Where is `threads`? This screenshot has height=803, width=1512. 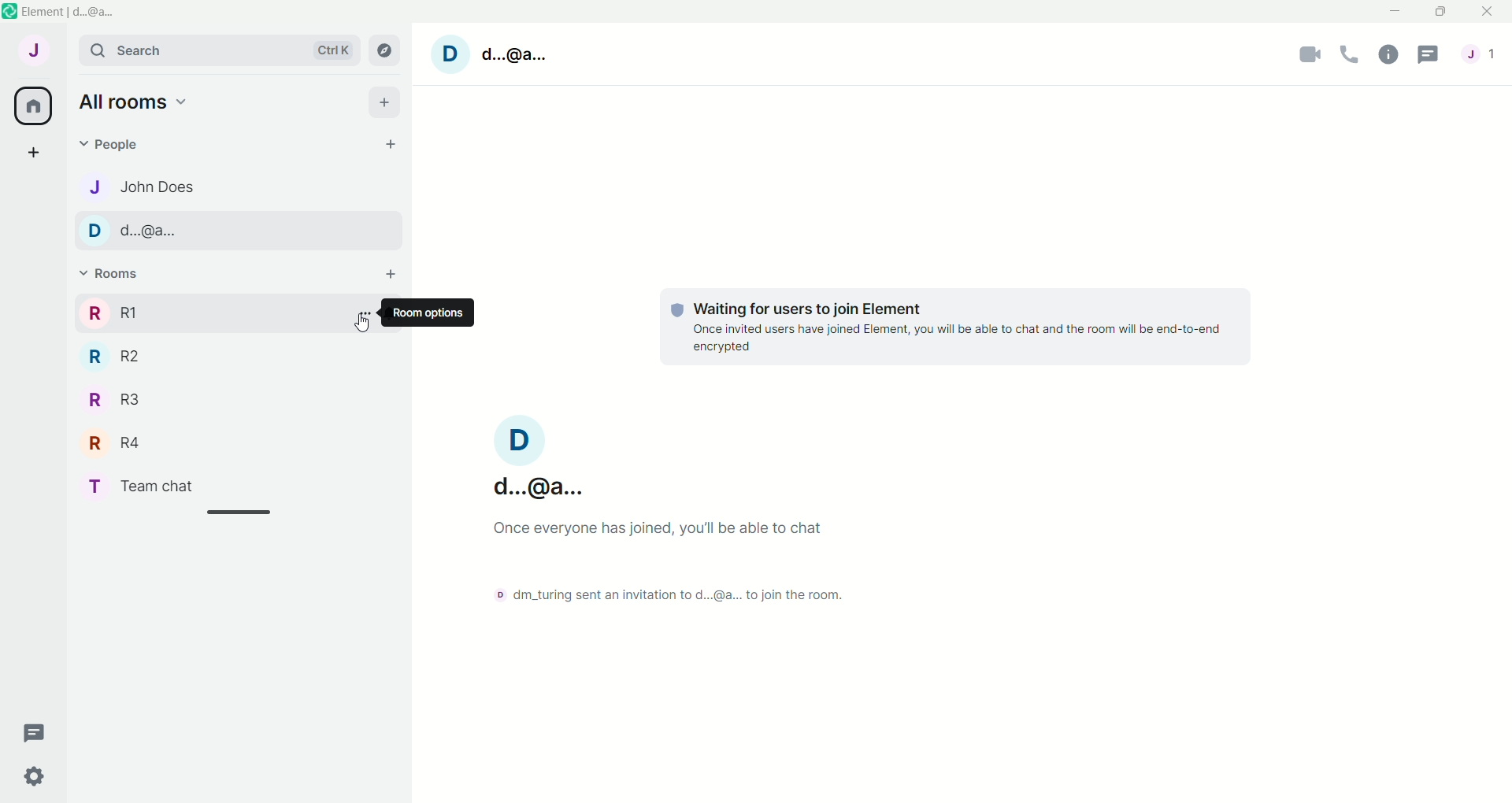 threads is located at coordinates (29, 731).